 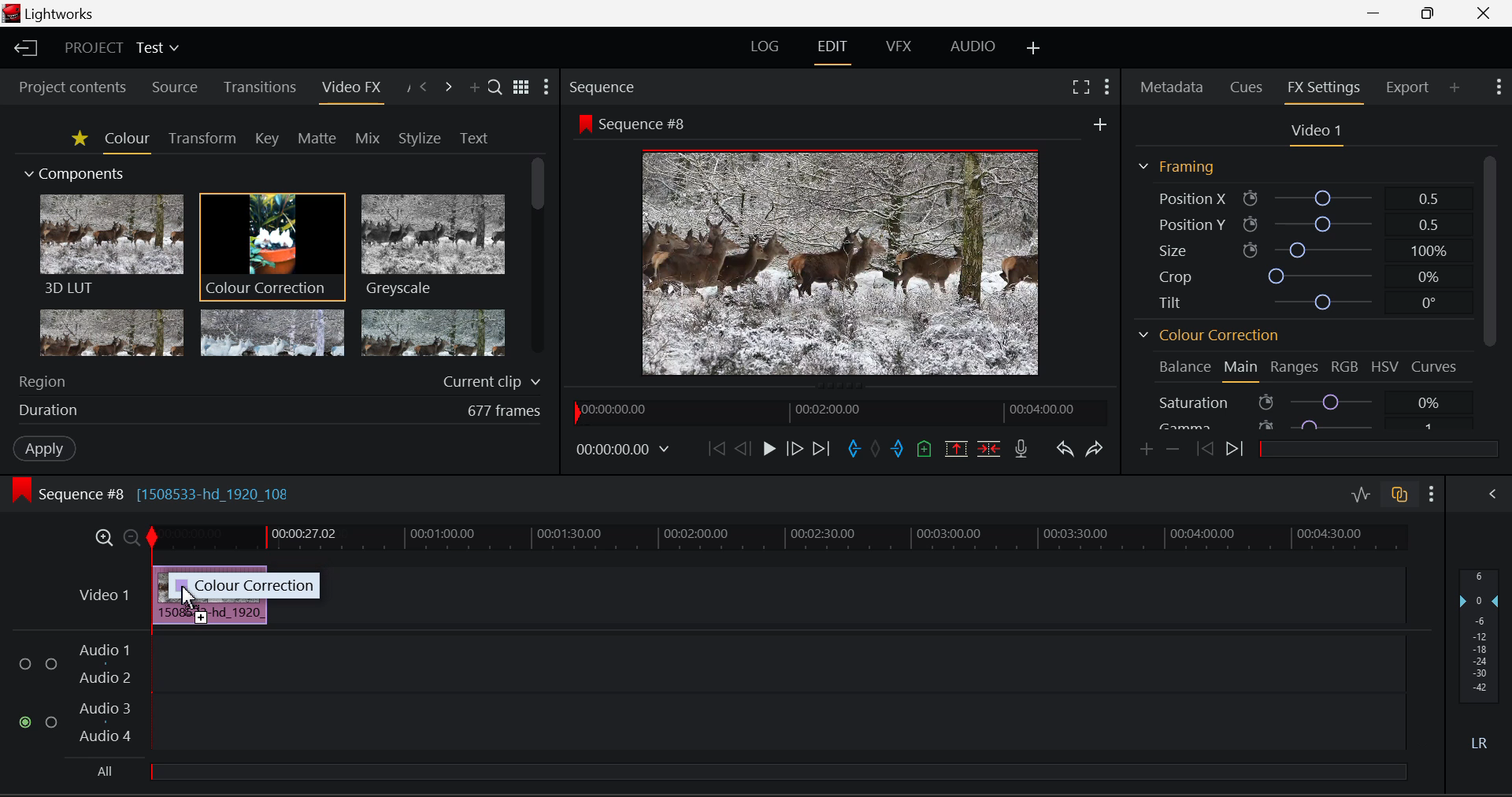 I want to click on HSV, so click(x=1388, y=366).